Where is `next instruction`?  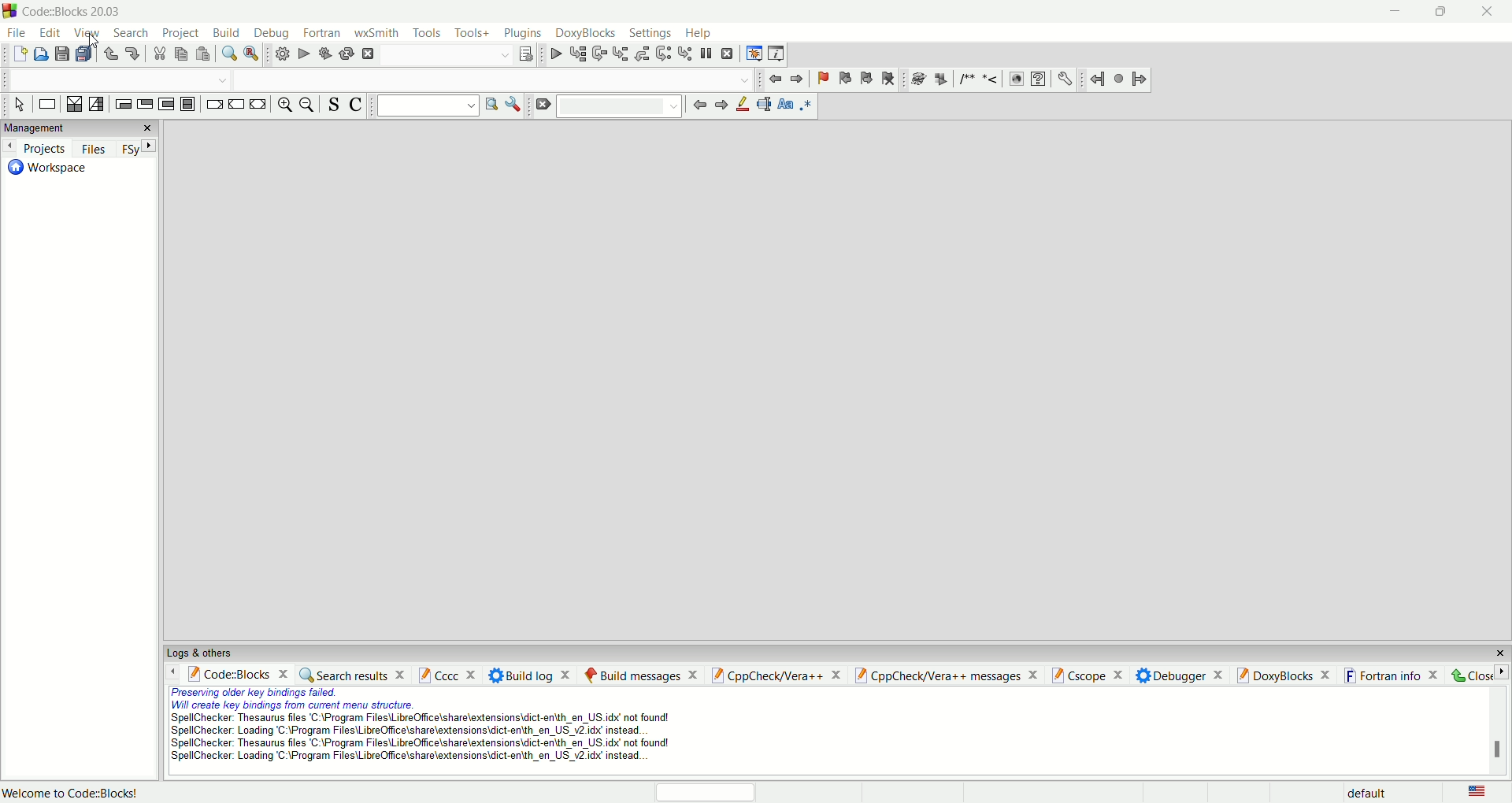
next instruction is located at coordinates (664, 55).